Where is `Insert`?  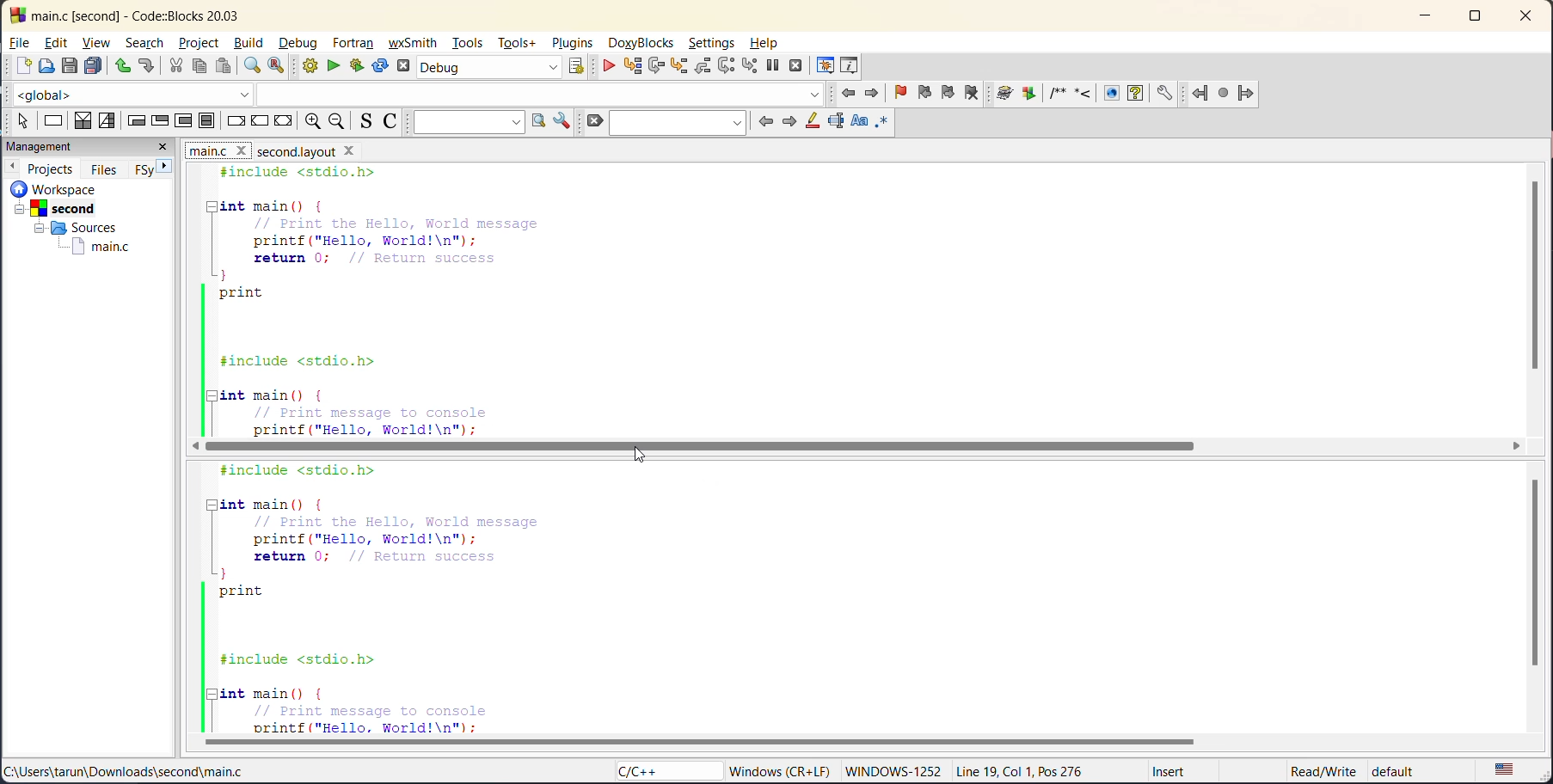
Insert is located at coordinates (1172, 770).